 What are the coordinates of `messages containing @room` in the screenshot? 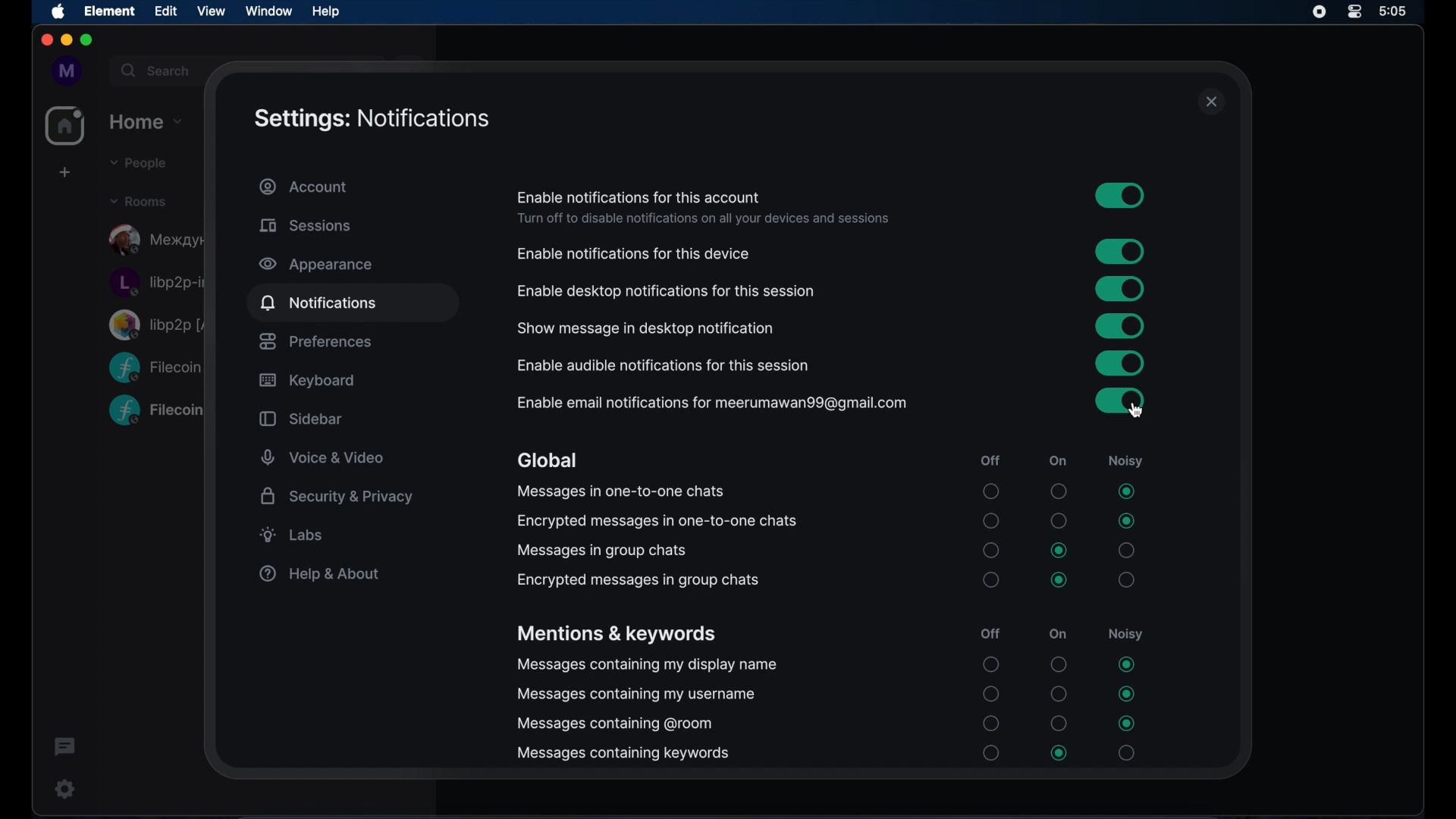 It's located at (615, 724).